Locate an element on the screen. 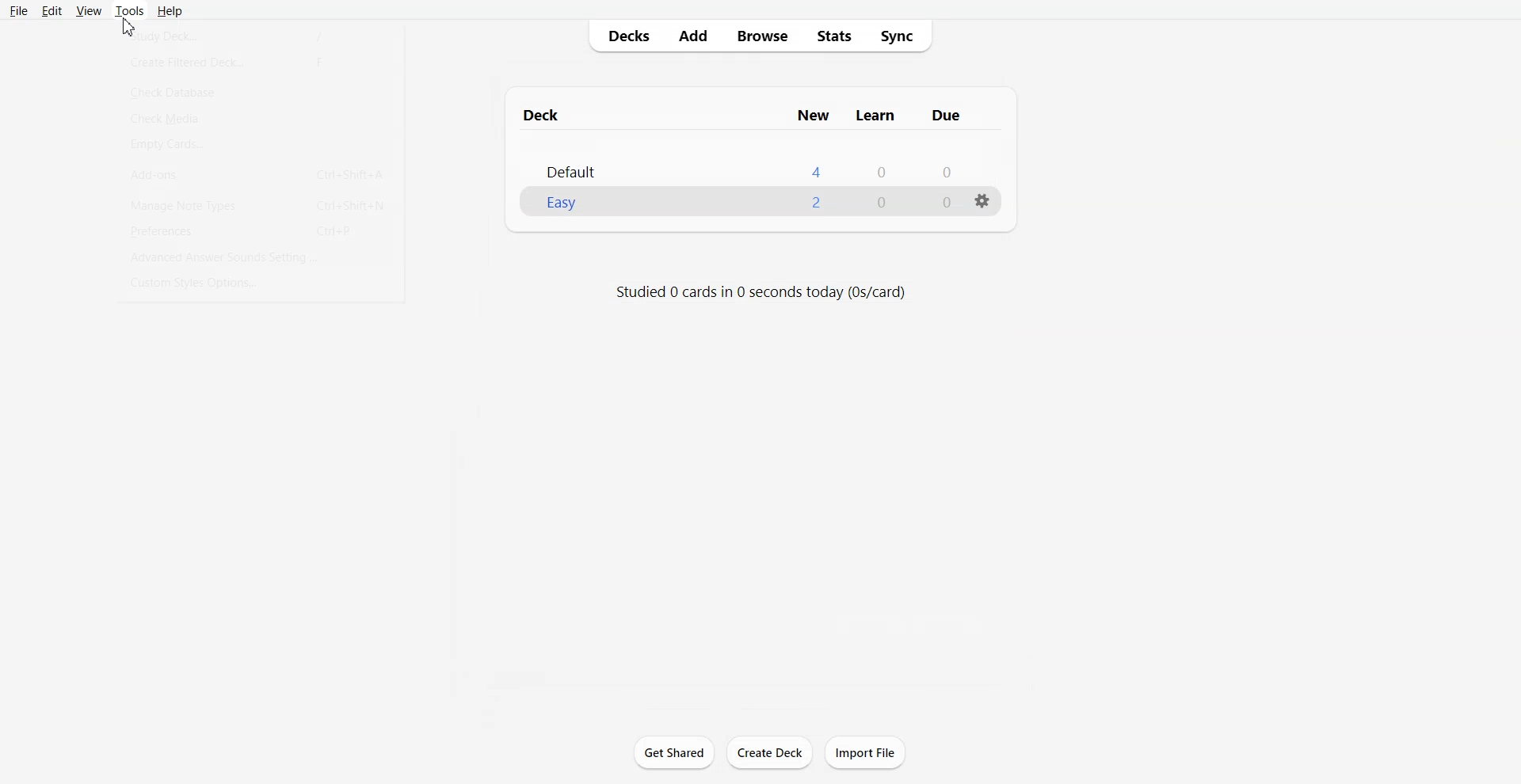  default 4 000 is located at coordinates (764, 166).